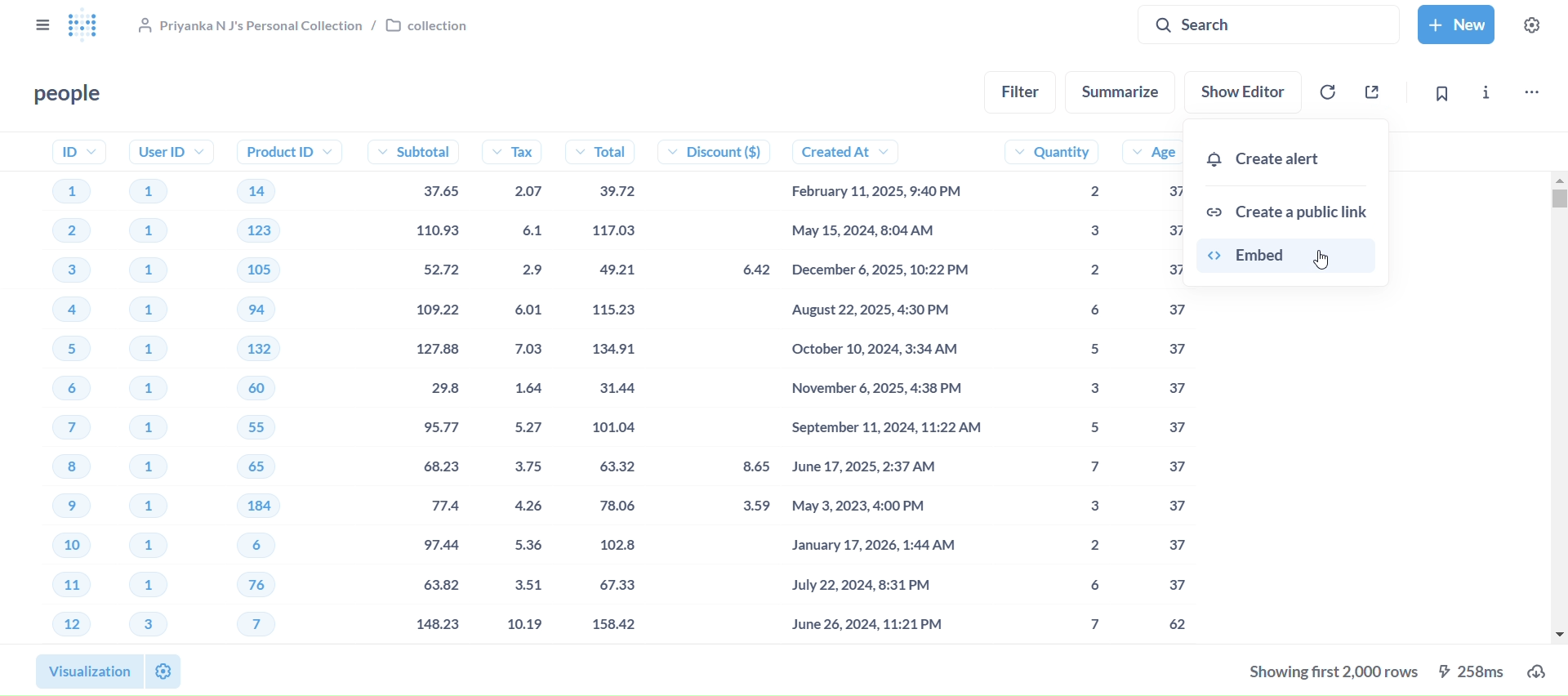  Describe the element at coordinates (165, 390) in the screenshot. I see `User Id's` at that location.